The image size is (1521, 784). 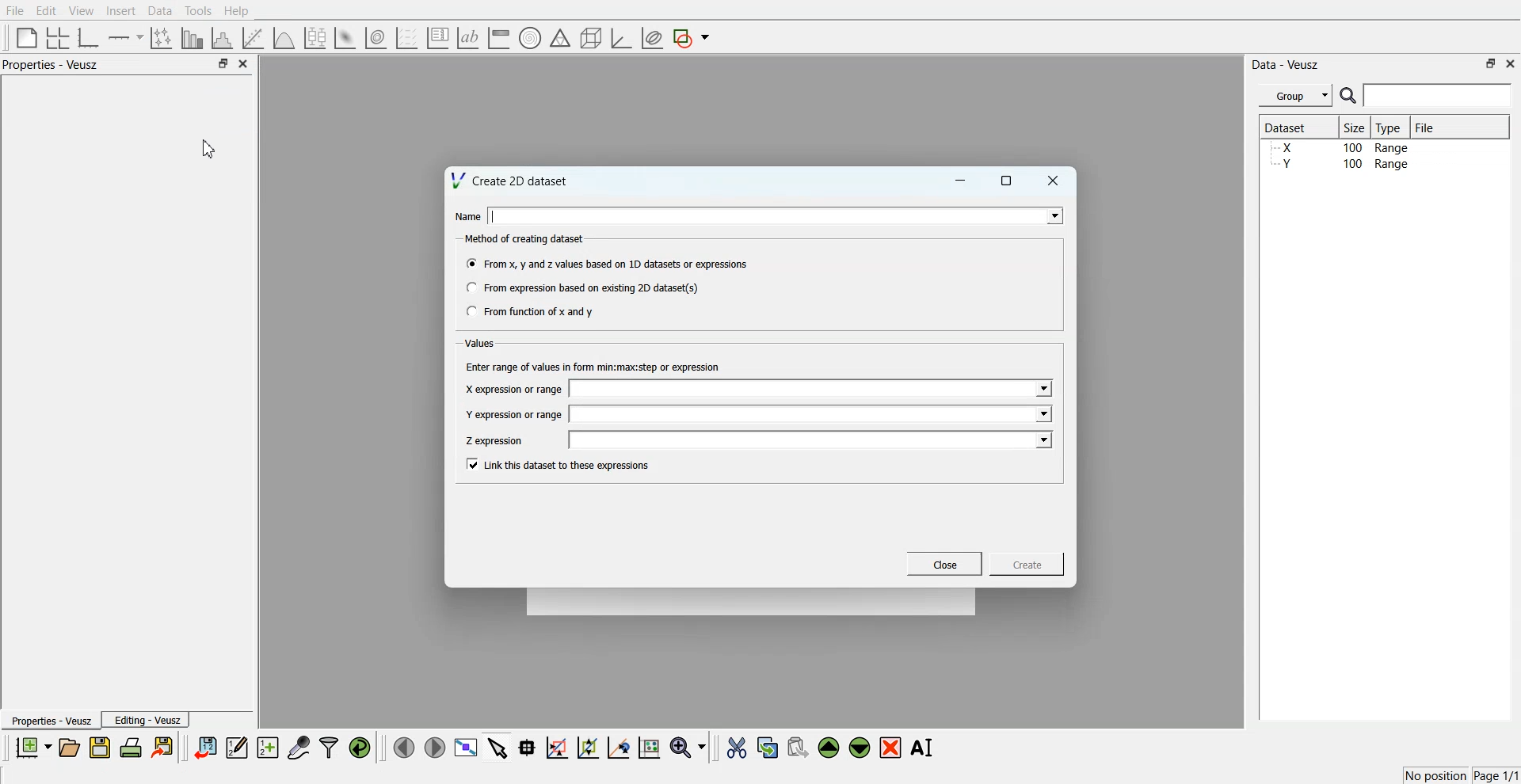 What do you see at coordinates (237, 11) in the screenshot?
I see `Help` at bounding box center [237, 11].